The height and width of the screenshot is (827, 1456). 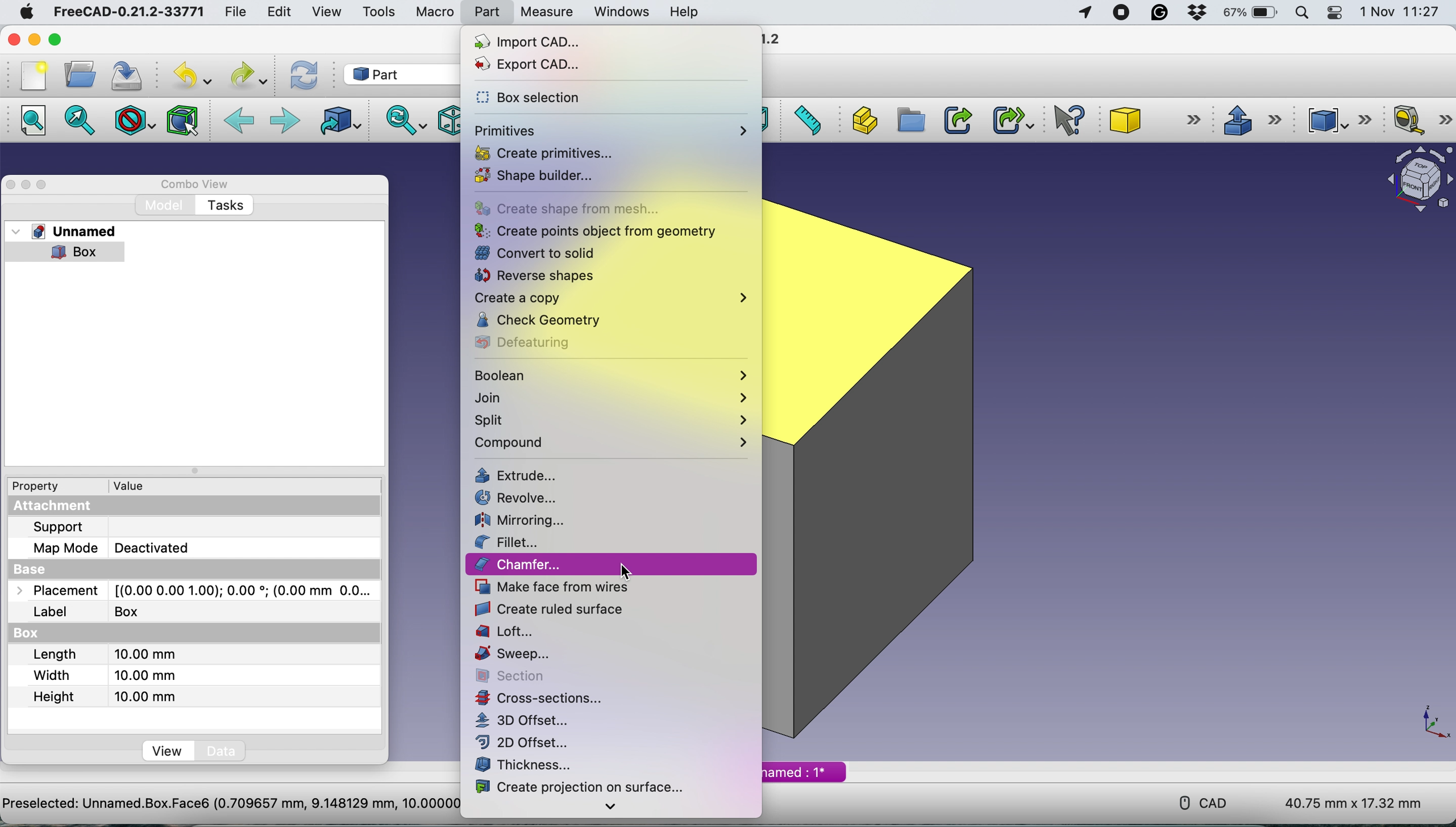 What do you see at coordinates (608, 298) in the screenshot?
I see `create a copy` at bounding box center [608, 298].